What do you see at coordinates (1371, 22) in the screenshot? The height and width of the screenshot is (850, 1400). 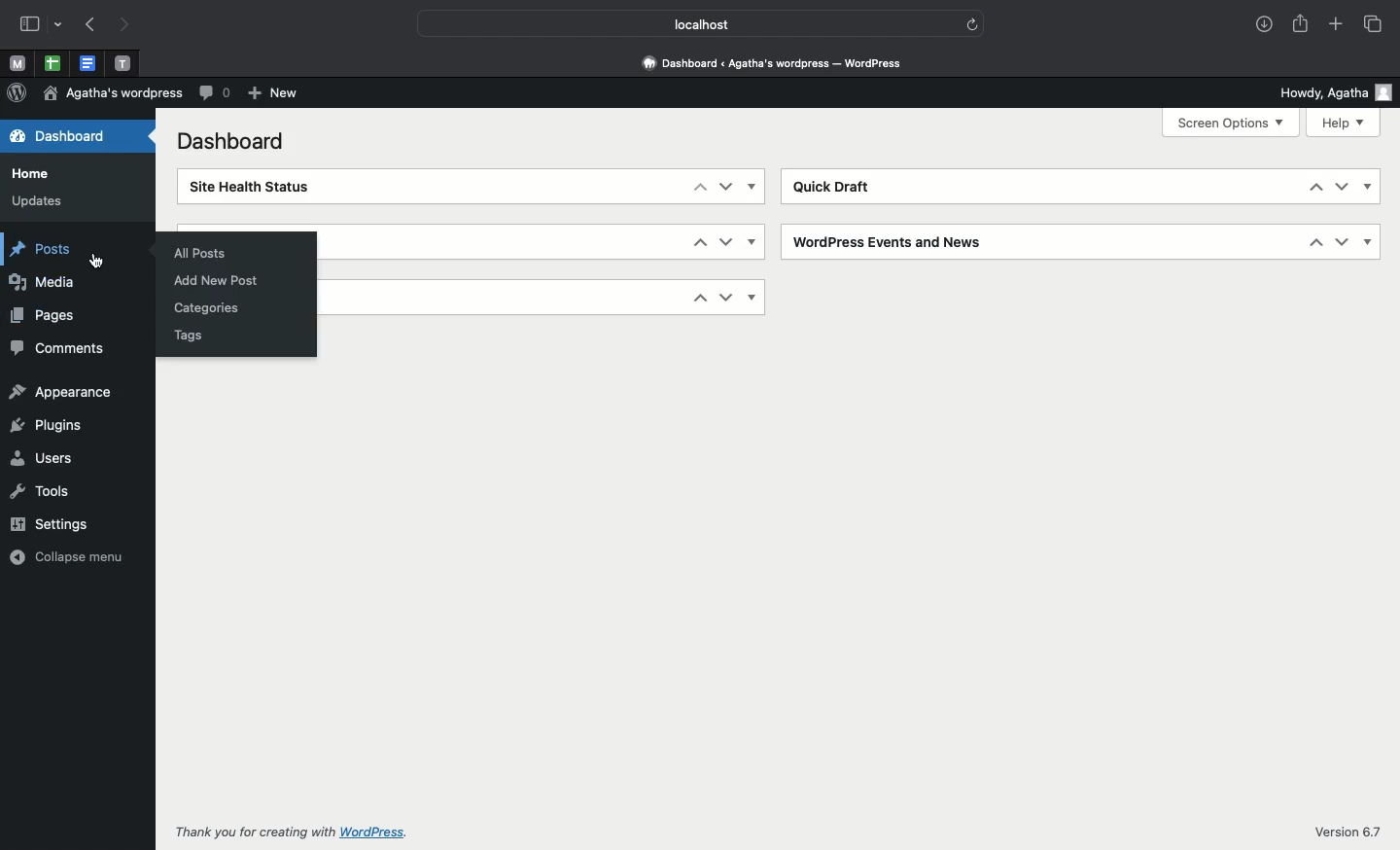 I see `Tabs` at bounding box center [1371, 22].